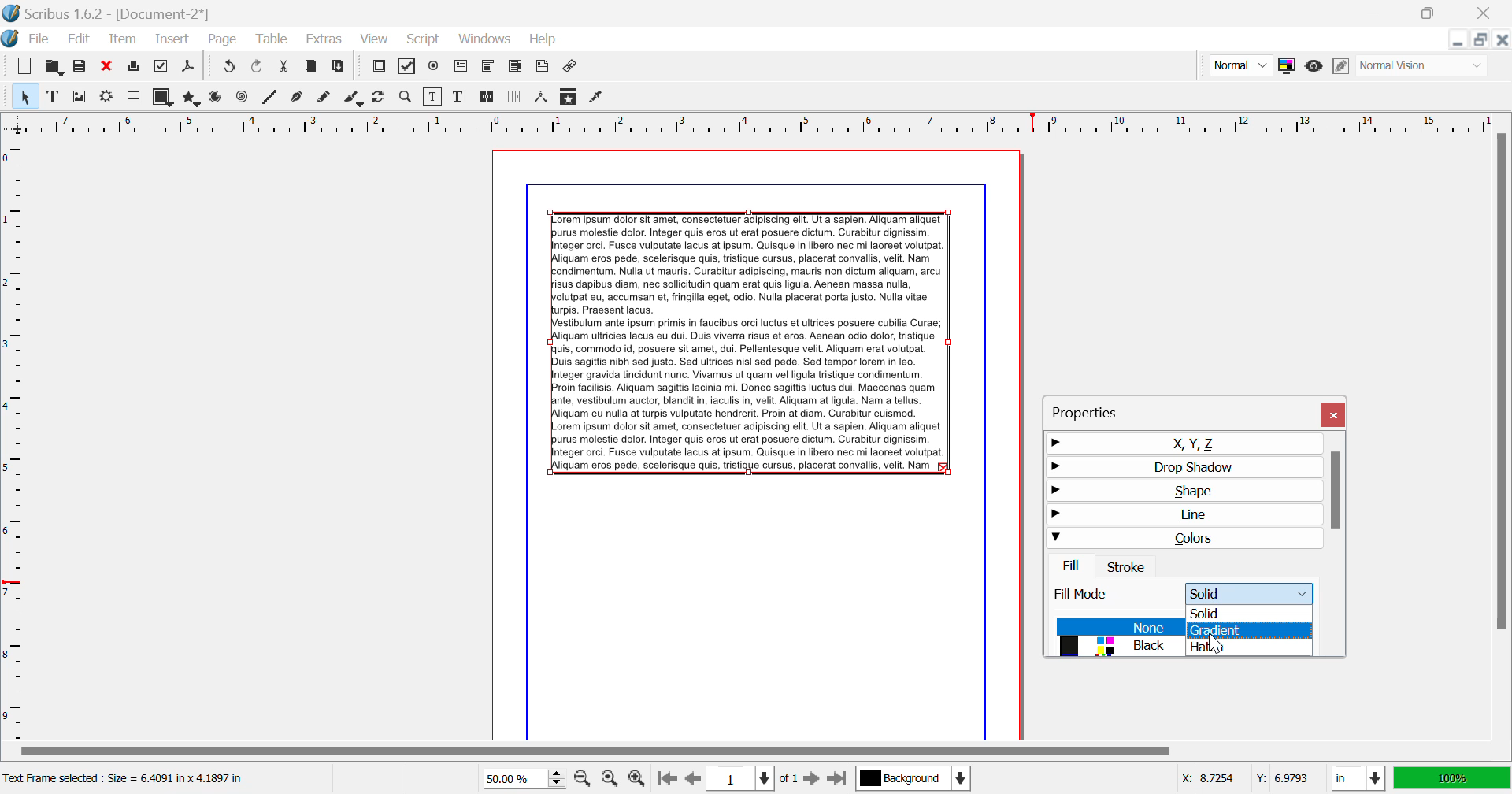 Image resolution: width=1512 pixels, height=794 pixels. Describe the element at coordinates (322, 39) in the screenshot. I see `Extras` at that location.